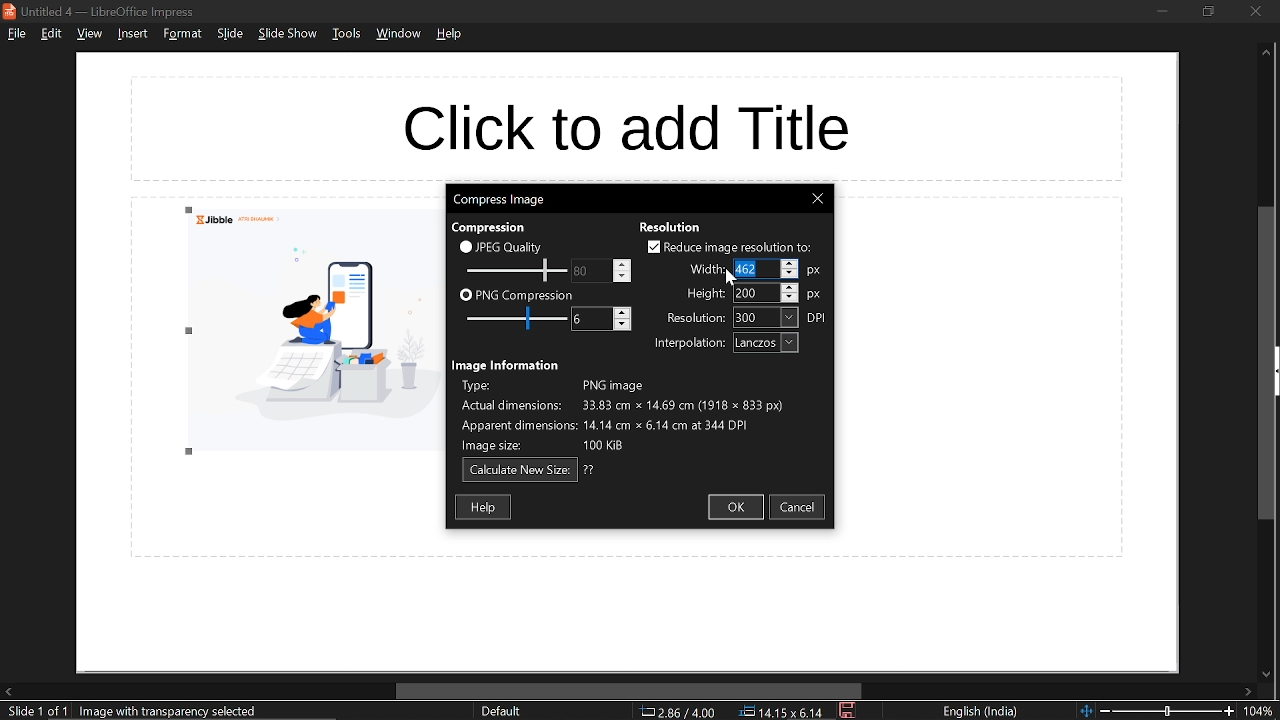 Image resolution: width=1280 pixels, height=720 pixels. What do you see at coordinates (623, 312) in the screenshot?
I see `increase png compression` at bounding box center [623, 312].